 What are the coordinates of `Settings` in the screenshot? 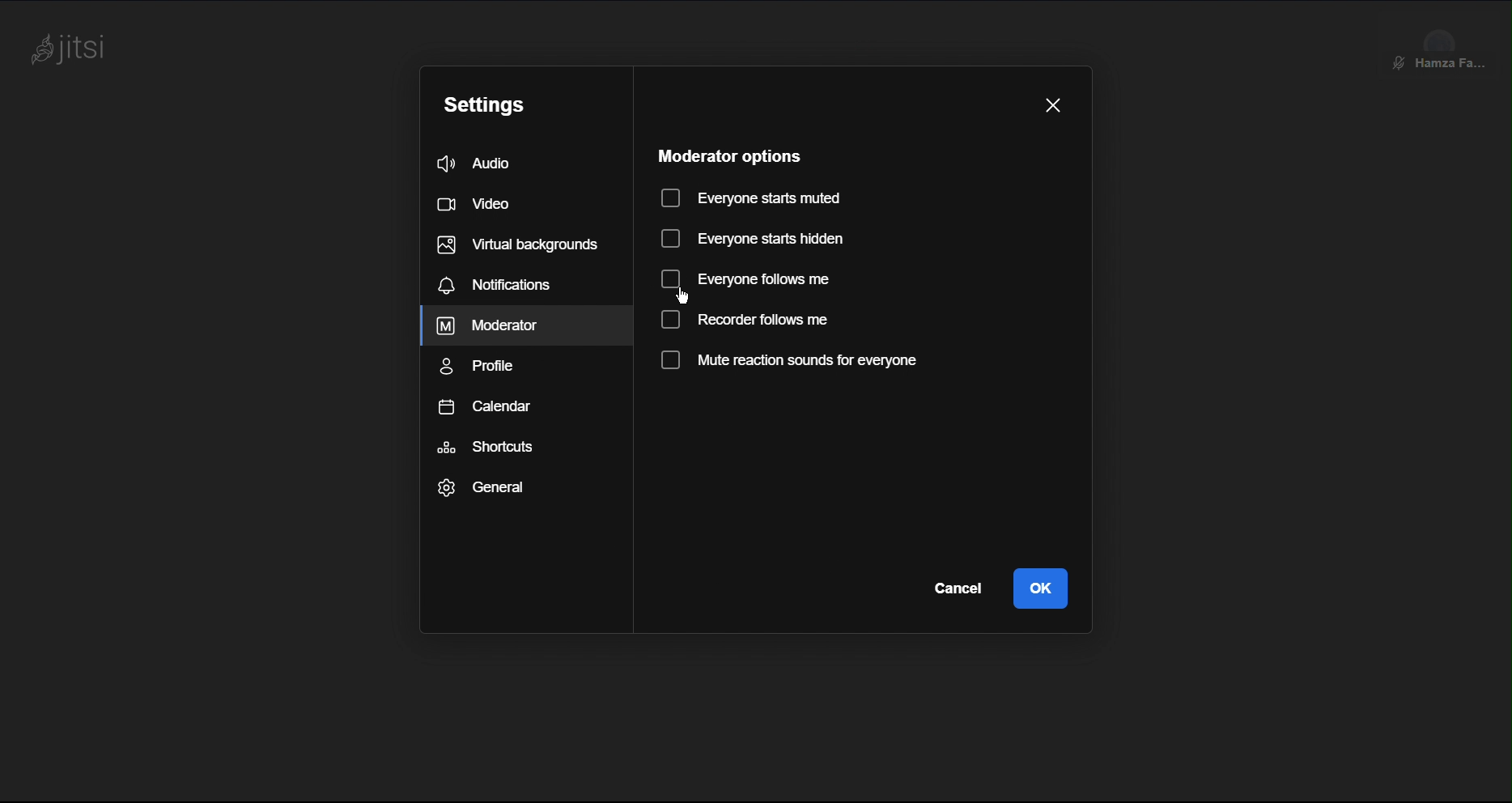 It's located at (488, 101).